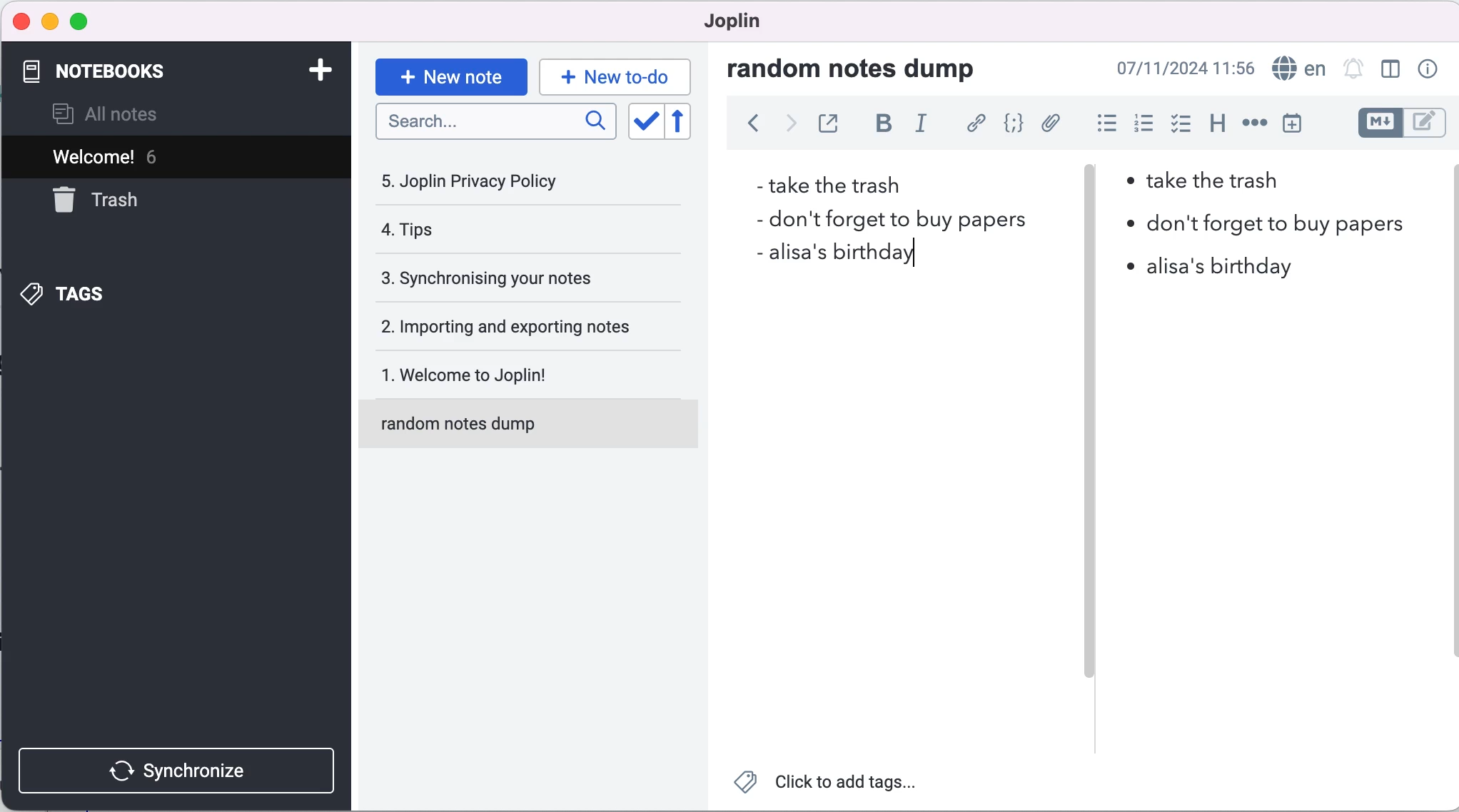 Image resolution: width=1459 pixels, height=812 pixels. Describe the element at coordinates (493, 233) in the screenshot. I see `tips` at that location.